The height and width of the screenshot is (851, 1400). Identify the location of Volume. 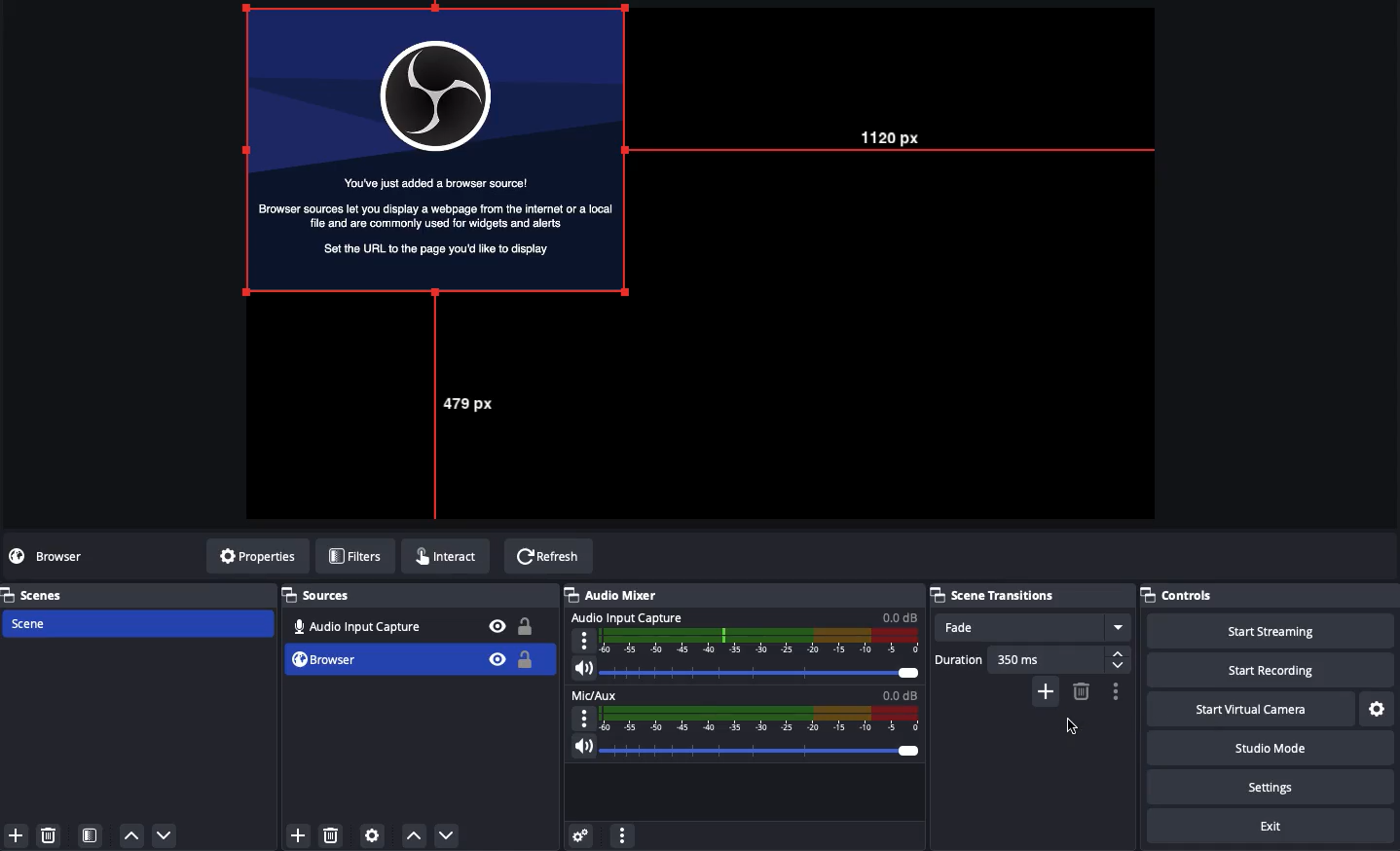
(748, 749).